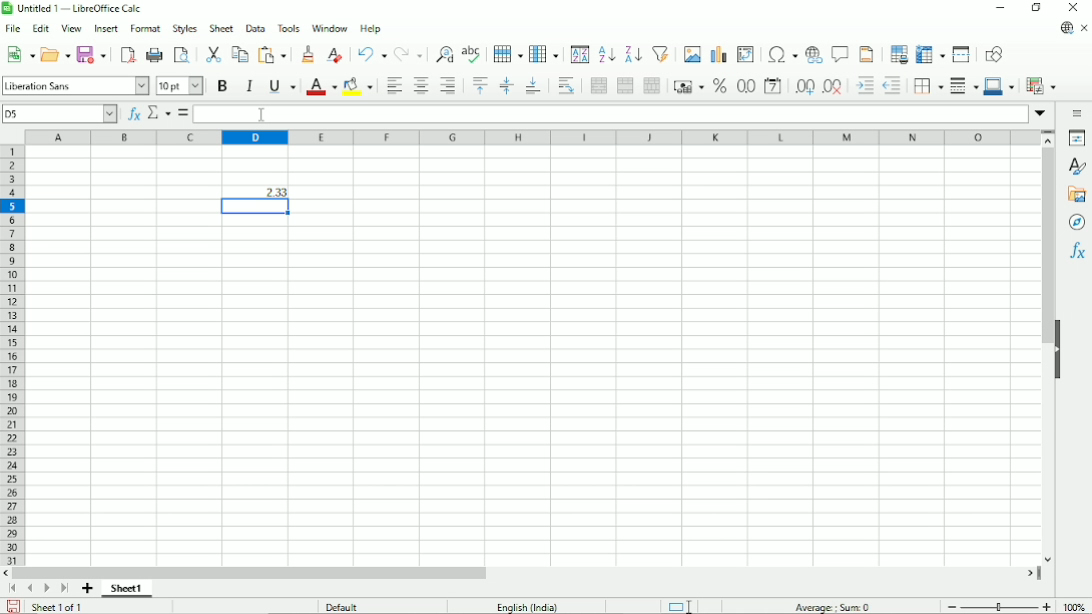 The image size is (1092, 614). What do you see at coordinates (832, 606) in the screenshot?
I see `Average:; sum: 0` at bounding box center [832, 606].